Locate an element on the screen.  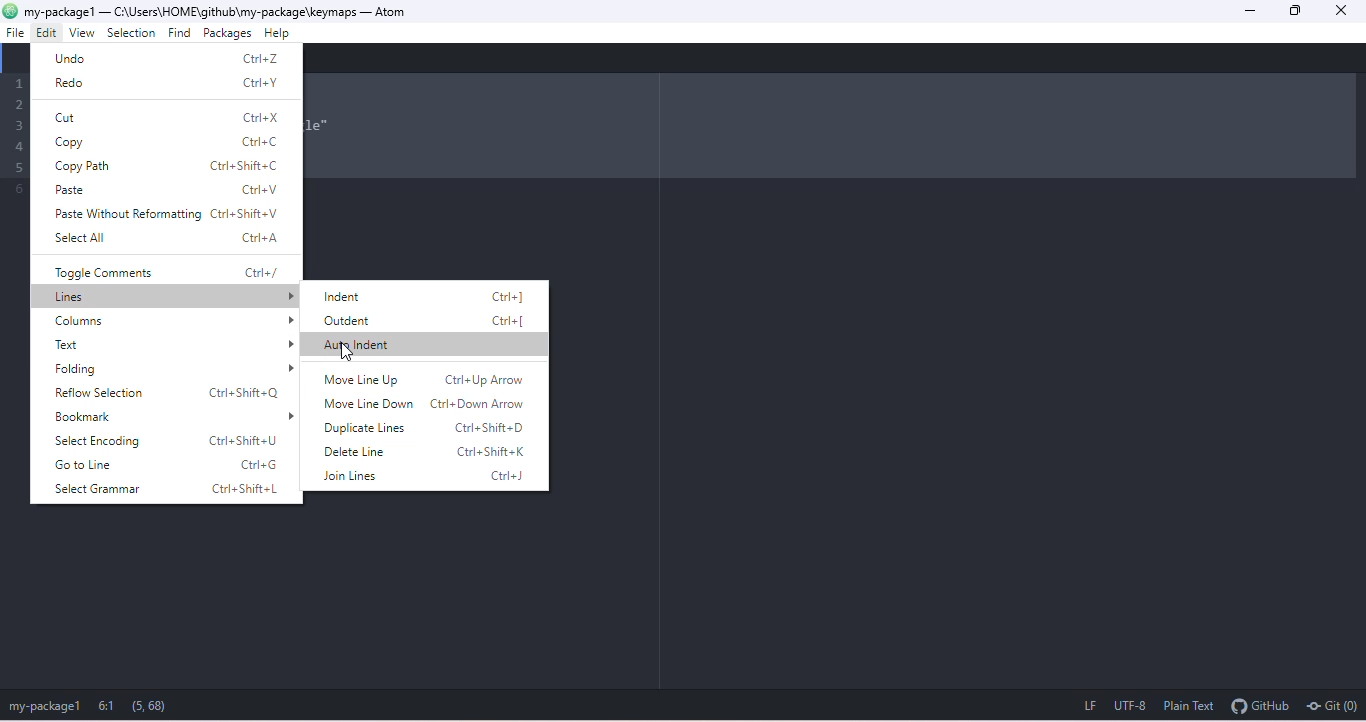
select all is located at coordinates (168, 240).